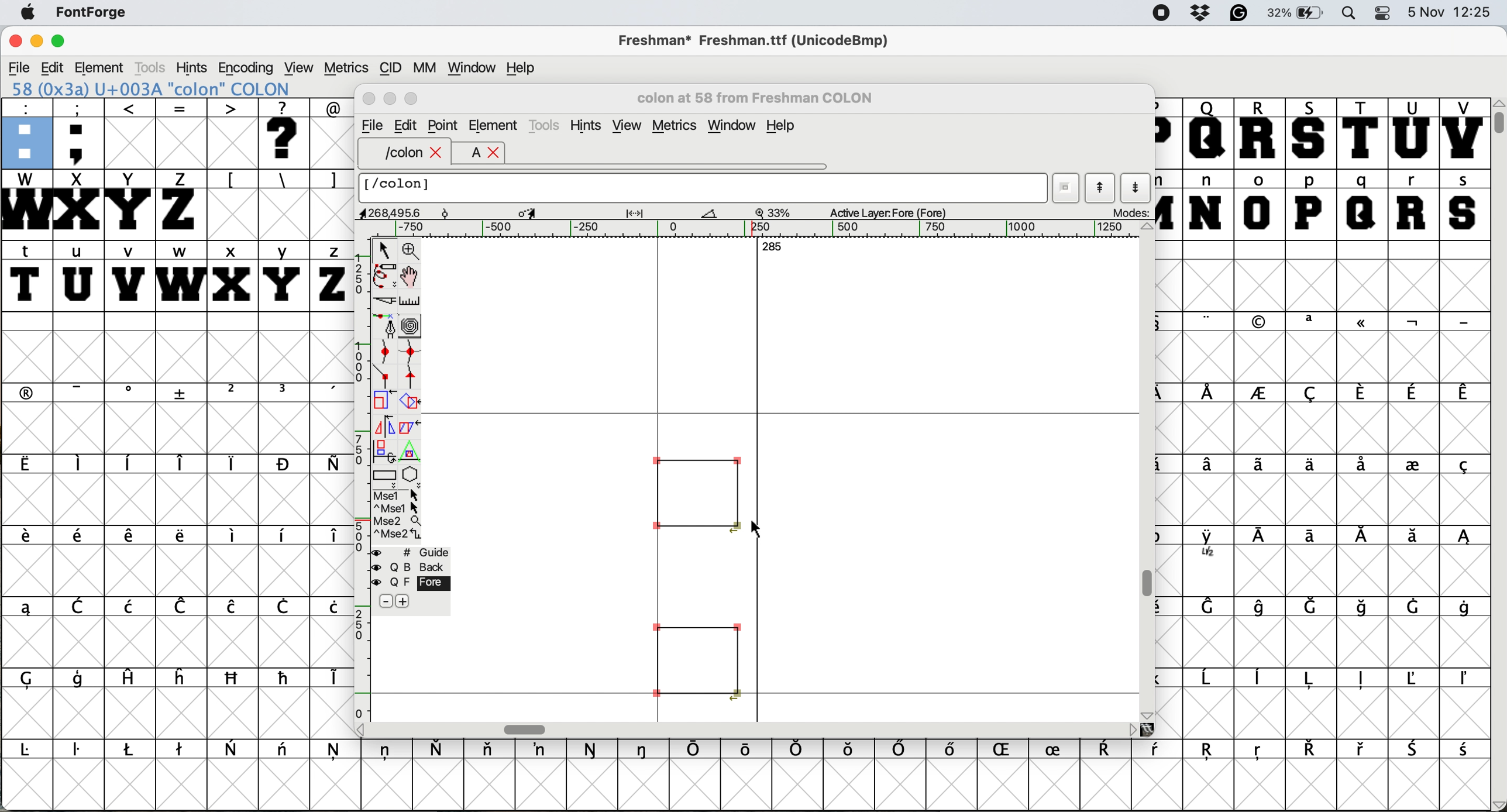 This screenshot has height=812, width=1507. Describe the element at coordinates (383, 377) in the screenshot. I see `add a comer point` at that location.